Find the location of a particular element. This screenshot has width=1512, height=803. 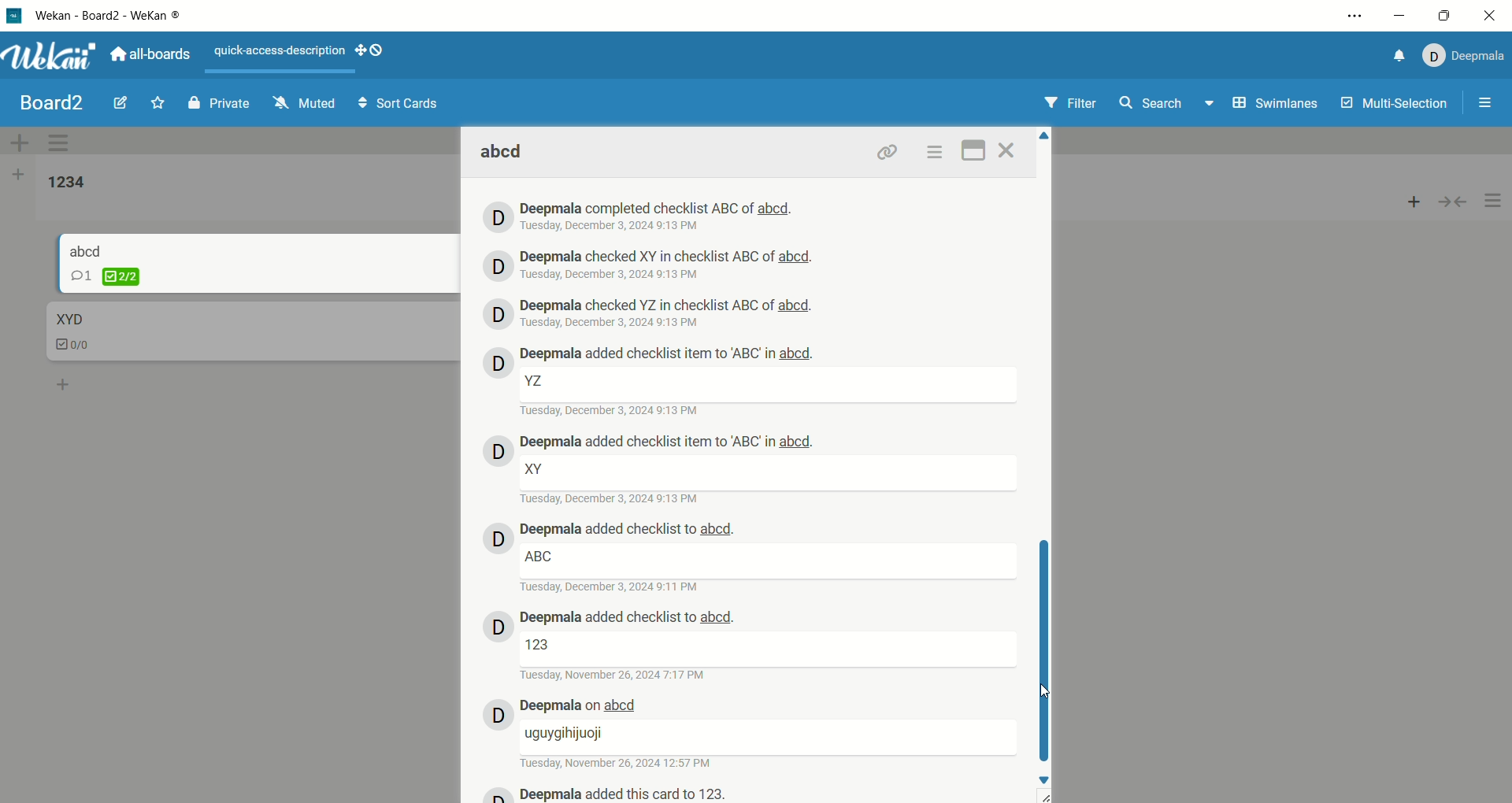

avatar is located at coordinates (495, 265).